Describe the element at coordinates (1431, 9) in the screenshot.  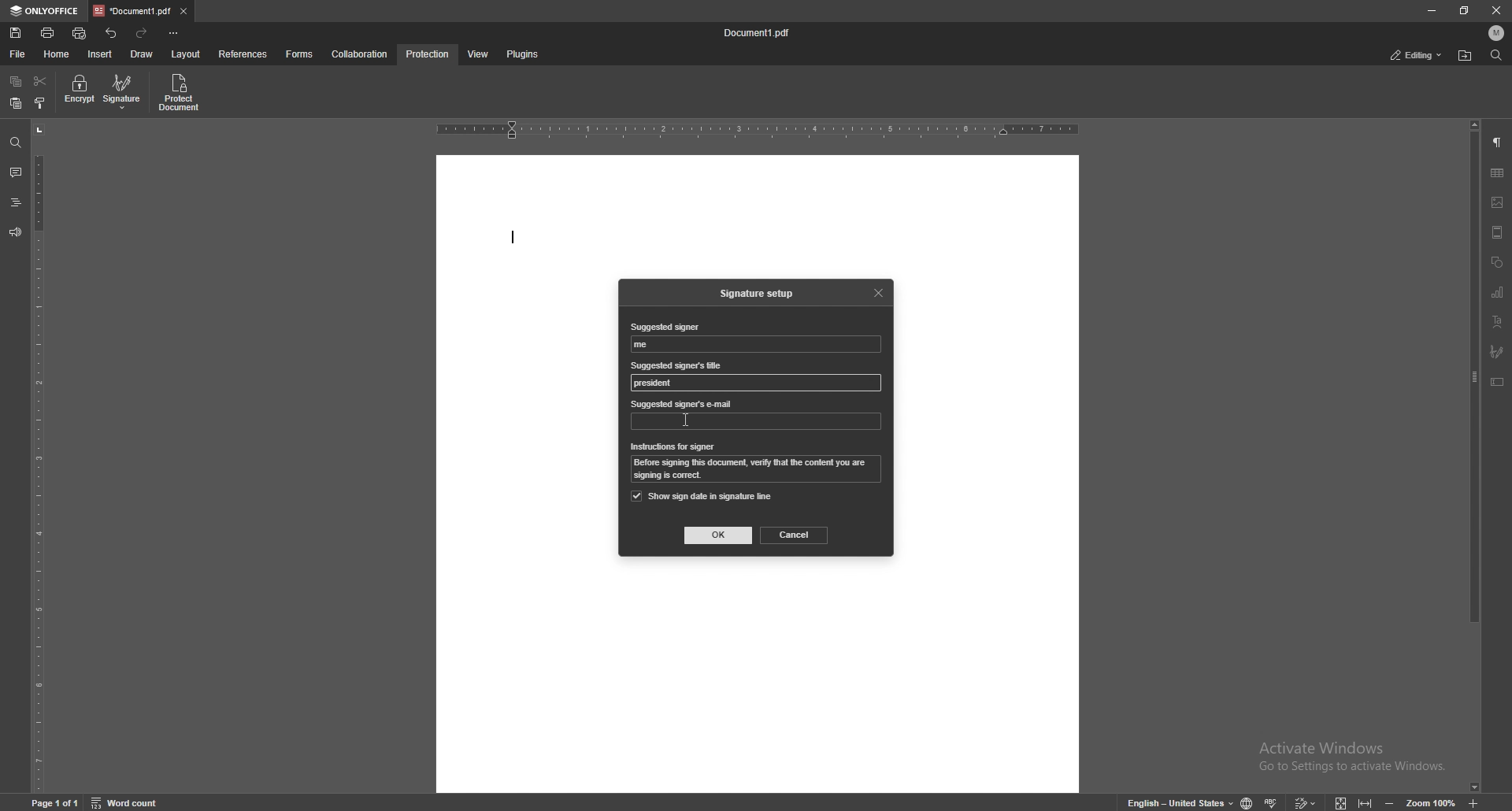
I see `minimize` at that location.